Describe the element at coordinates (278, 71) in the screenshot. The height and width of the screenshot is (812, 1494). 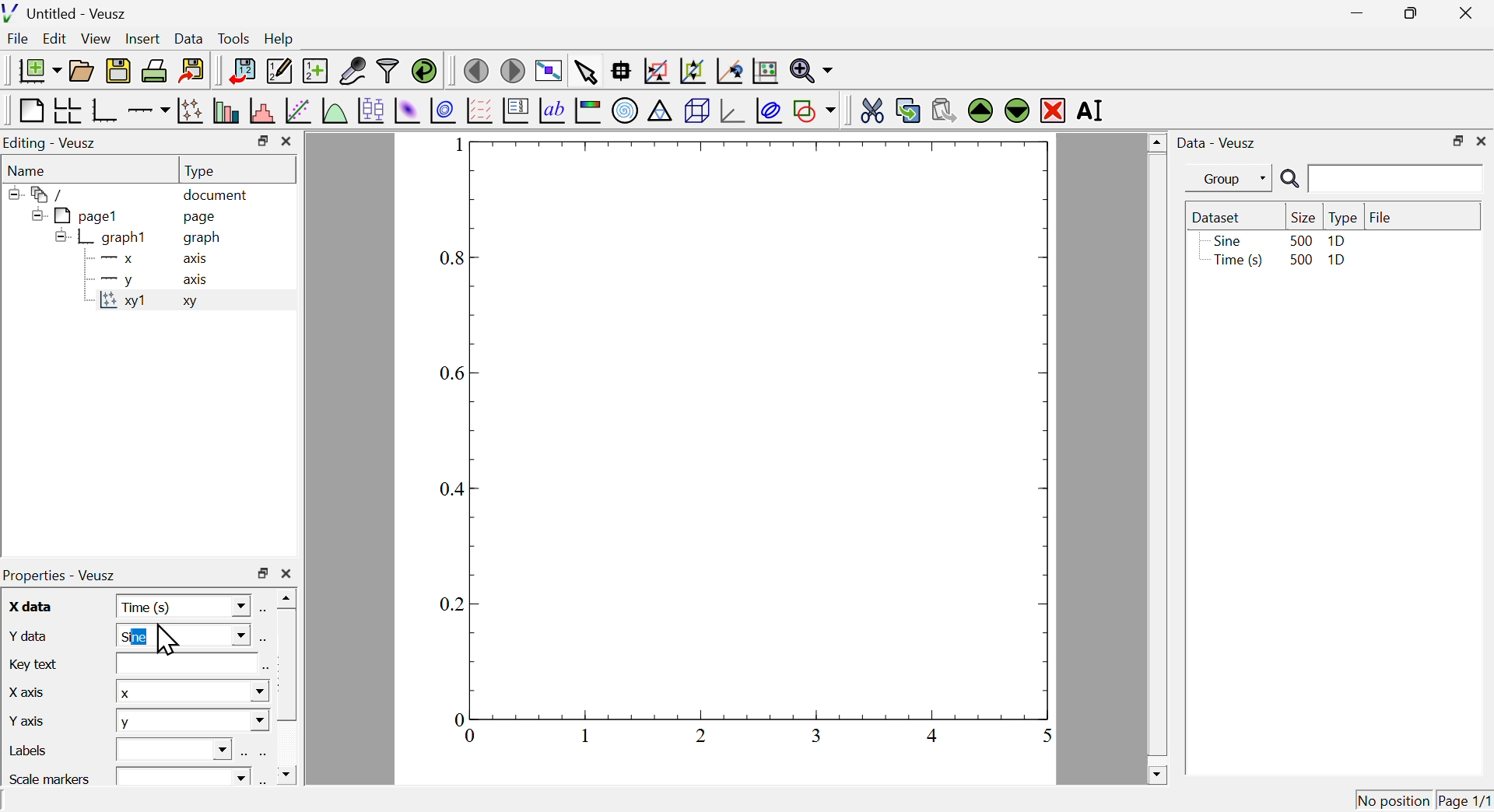
I see `edit and enter new datasets` at that location.